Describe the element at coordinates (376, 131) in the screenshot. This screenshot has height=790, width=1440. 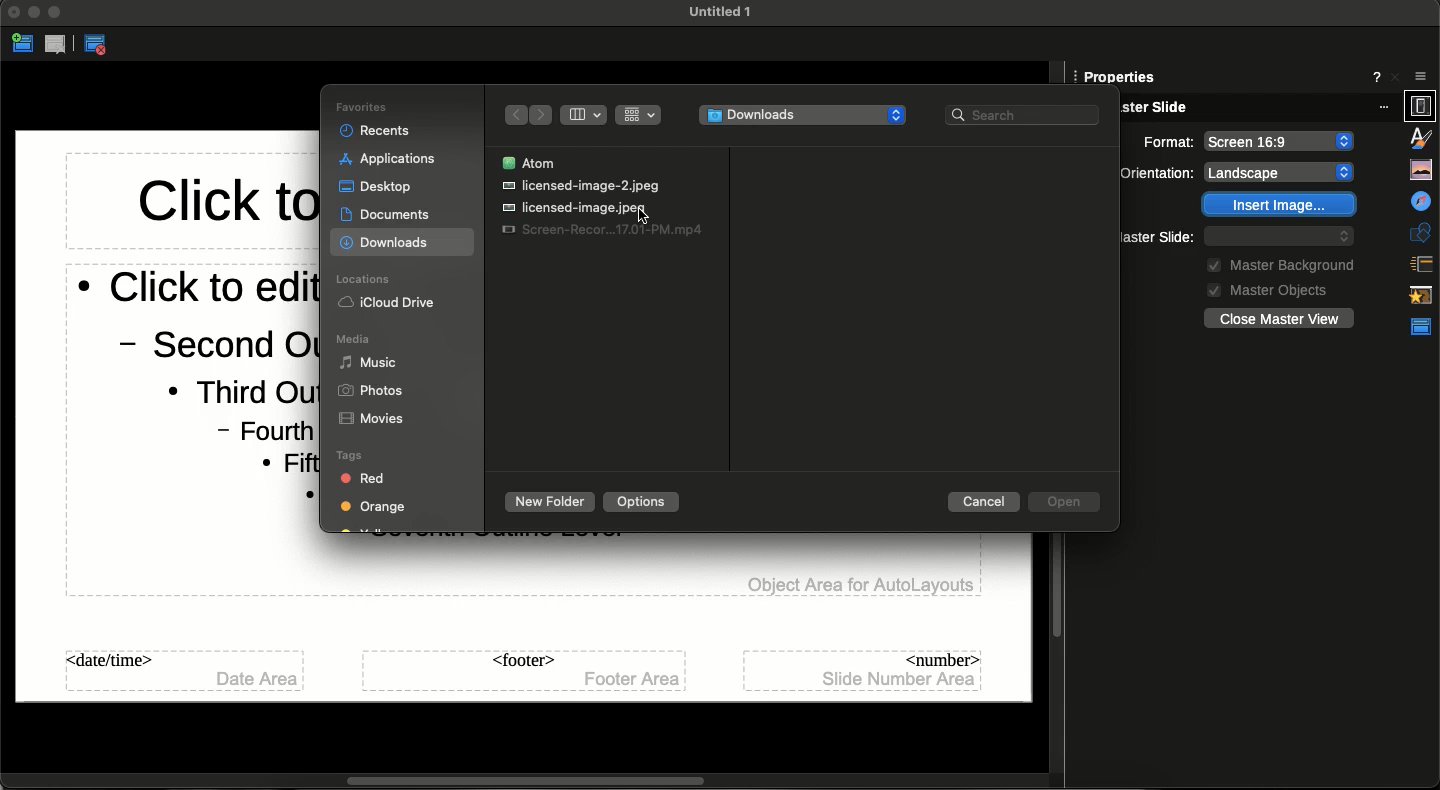
I see `Recents` at that location.